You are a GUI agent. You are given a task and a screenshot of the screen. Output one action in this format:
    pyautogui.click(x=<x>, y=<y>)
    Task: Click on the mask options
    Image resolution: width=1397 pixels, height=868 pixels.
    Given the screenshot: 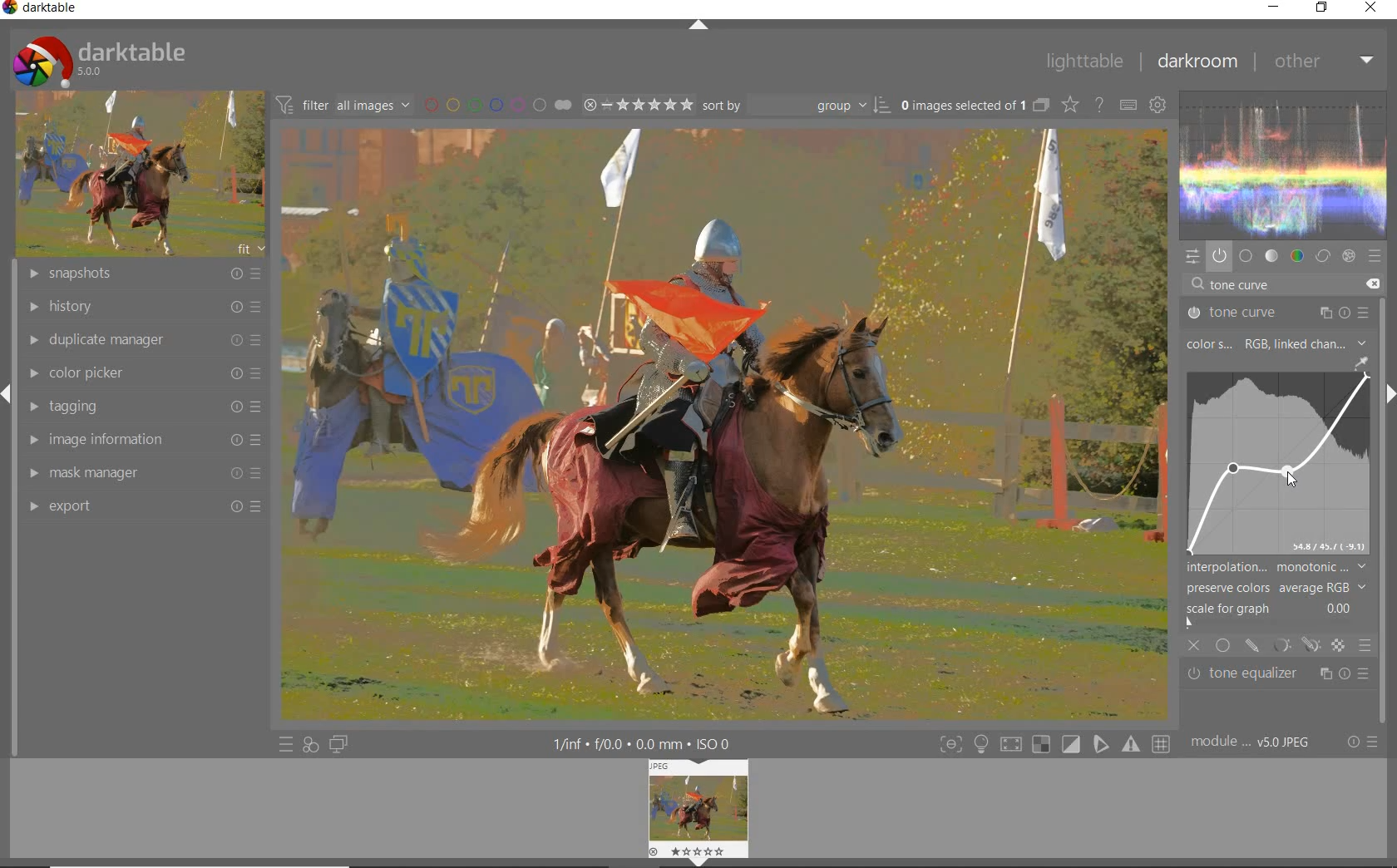 What is the action you would take?
    pyautogui.click(x=1294, y=645)
    